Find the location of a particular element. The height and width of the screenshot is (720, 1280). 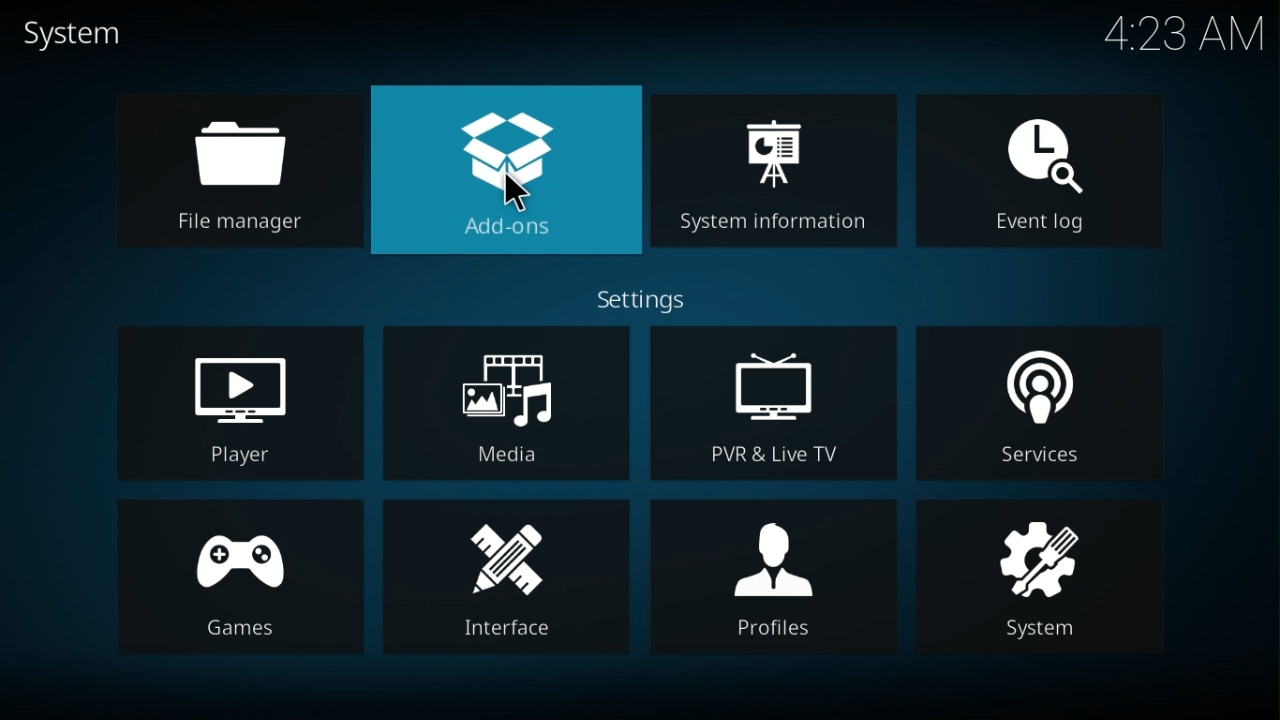

Player  is located at coordinates (239, 404).